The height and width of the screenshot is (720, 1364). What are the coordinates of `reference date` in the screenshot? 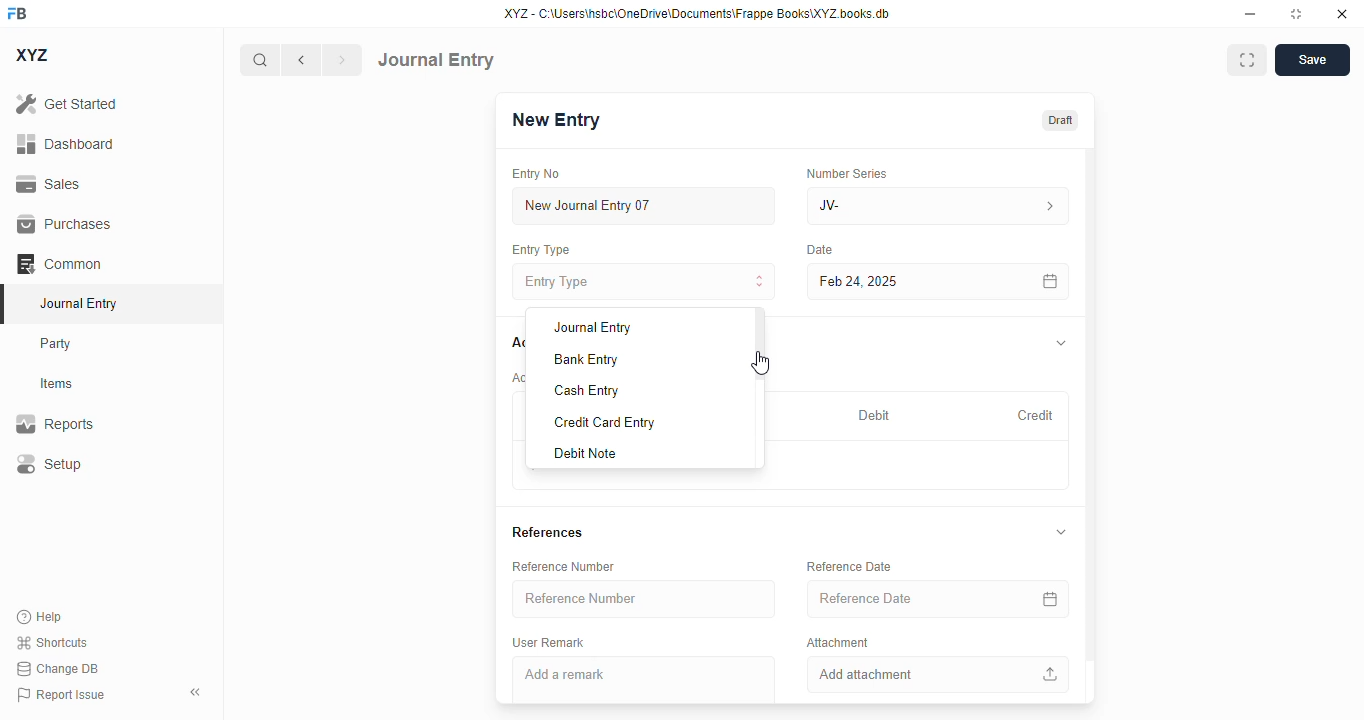 It's located at (850, 566).